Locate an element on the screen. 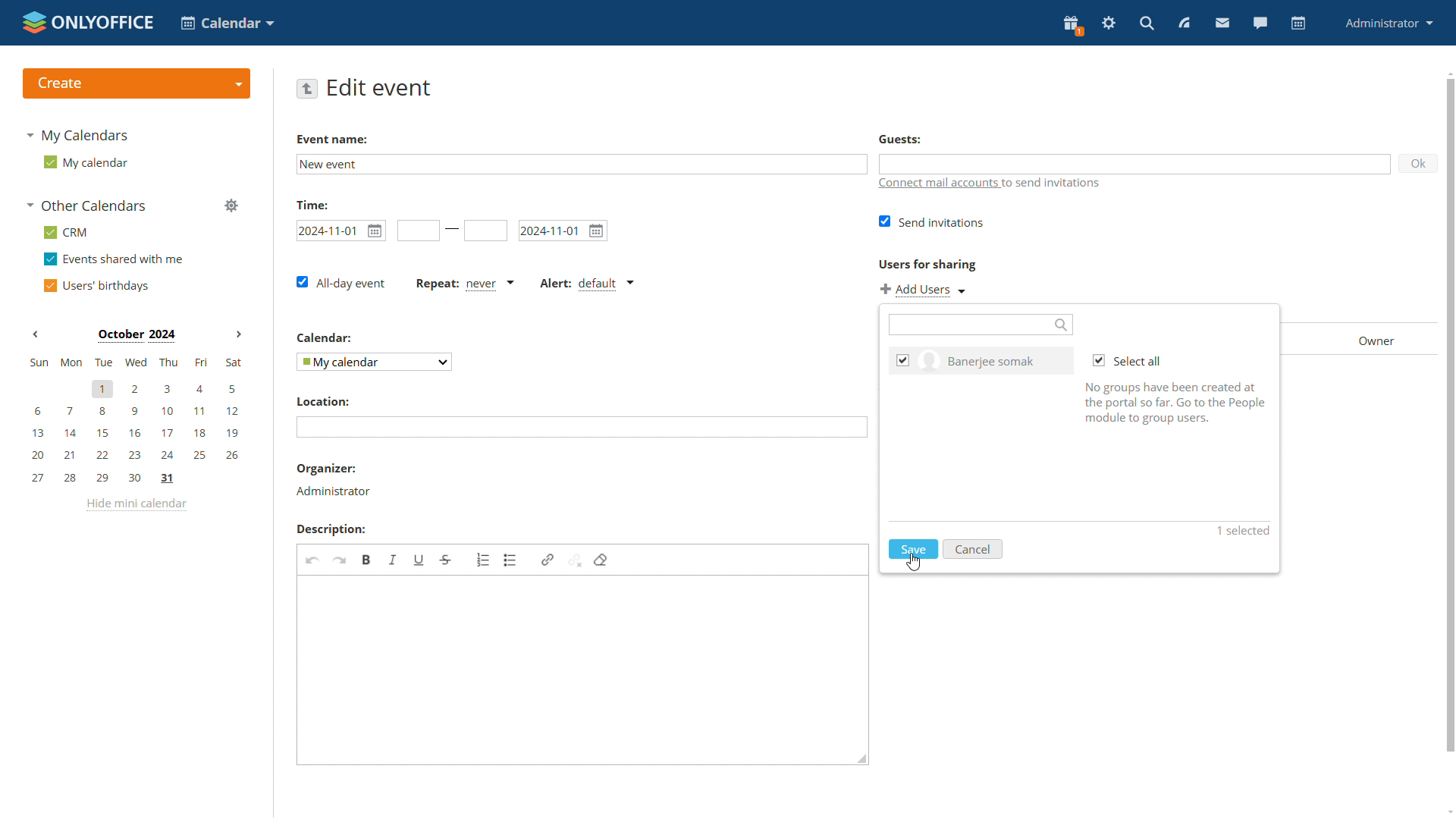  present is located at coordinates (1072, 24).